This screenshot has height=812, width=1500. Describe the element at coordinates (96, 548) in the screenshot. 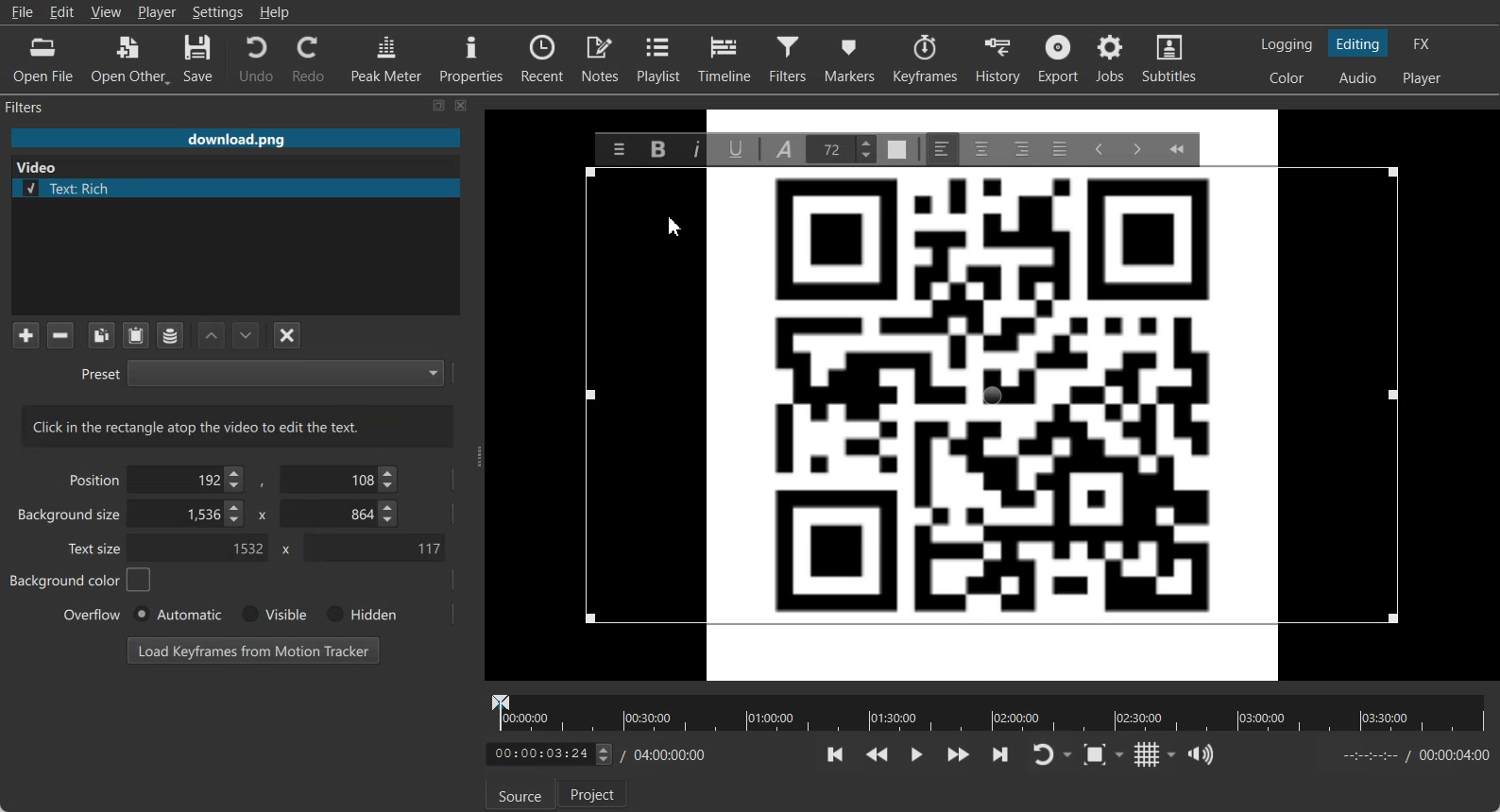

I see `Text size` at that location.